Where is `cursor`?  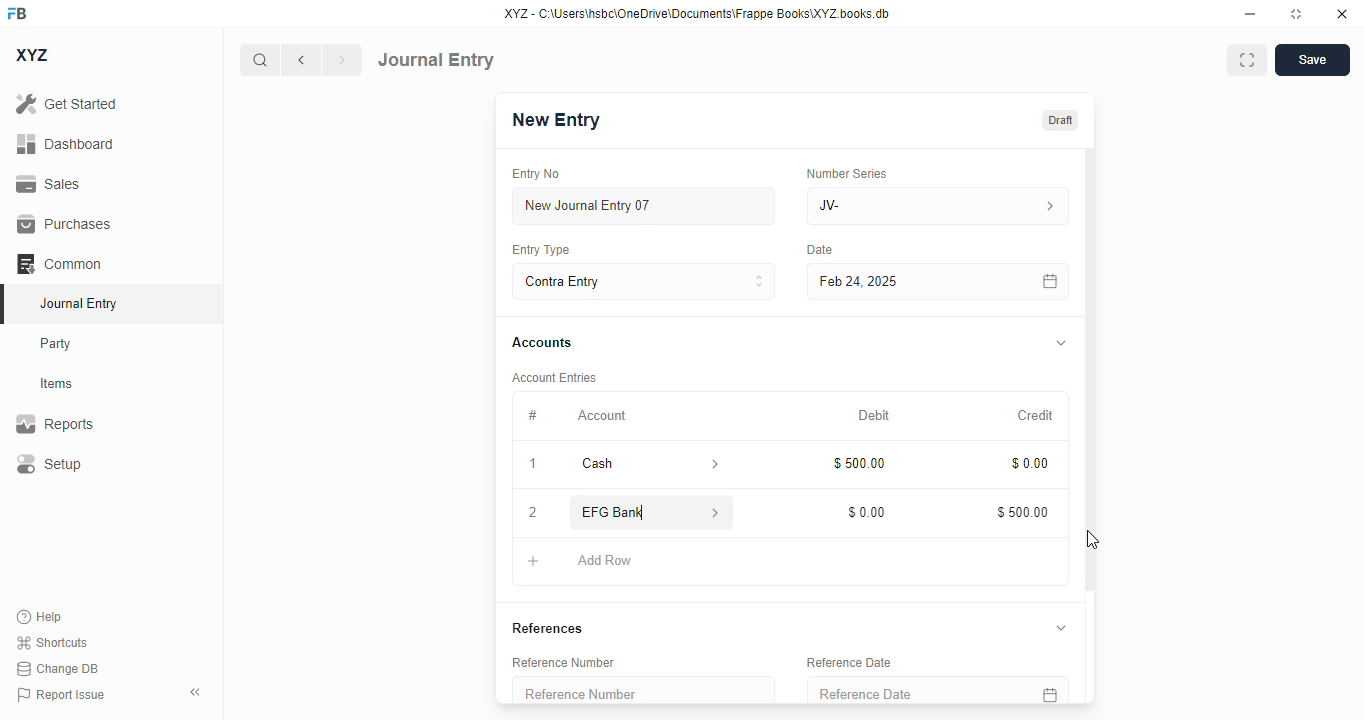 cursor is located at coordinates (1092, 540).